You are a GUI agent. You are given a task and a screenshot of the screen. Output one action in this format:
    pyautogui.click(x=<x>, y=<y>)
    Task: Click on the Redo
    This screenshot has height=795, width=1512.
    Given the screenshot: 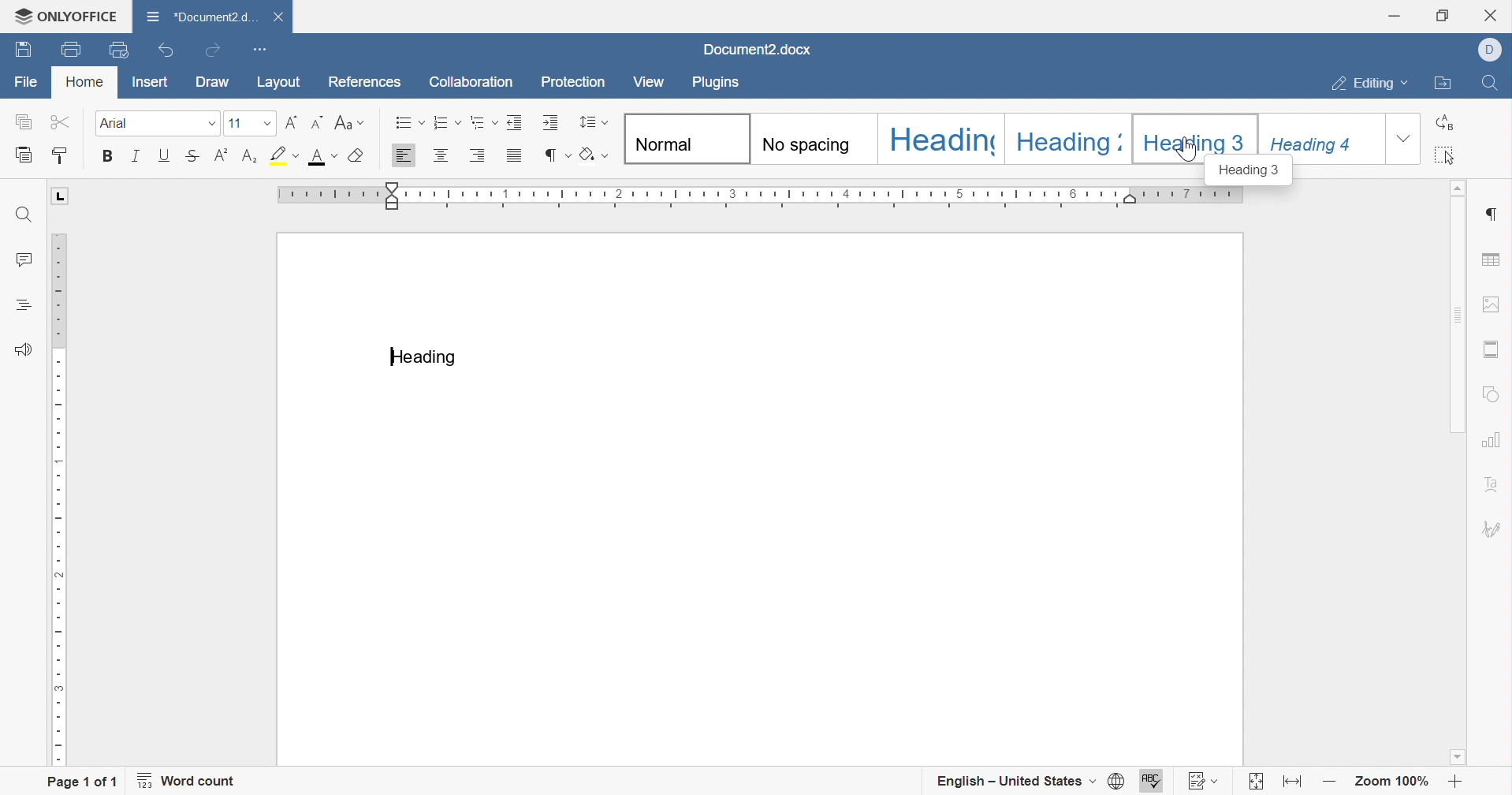 What is the action you would take?
    pyautogui.click(x=213, y=49)
    